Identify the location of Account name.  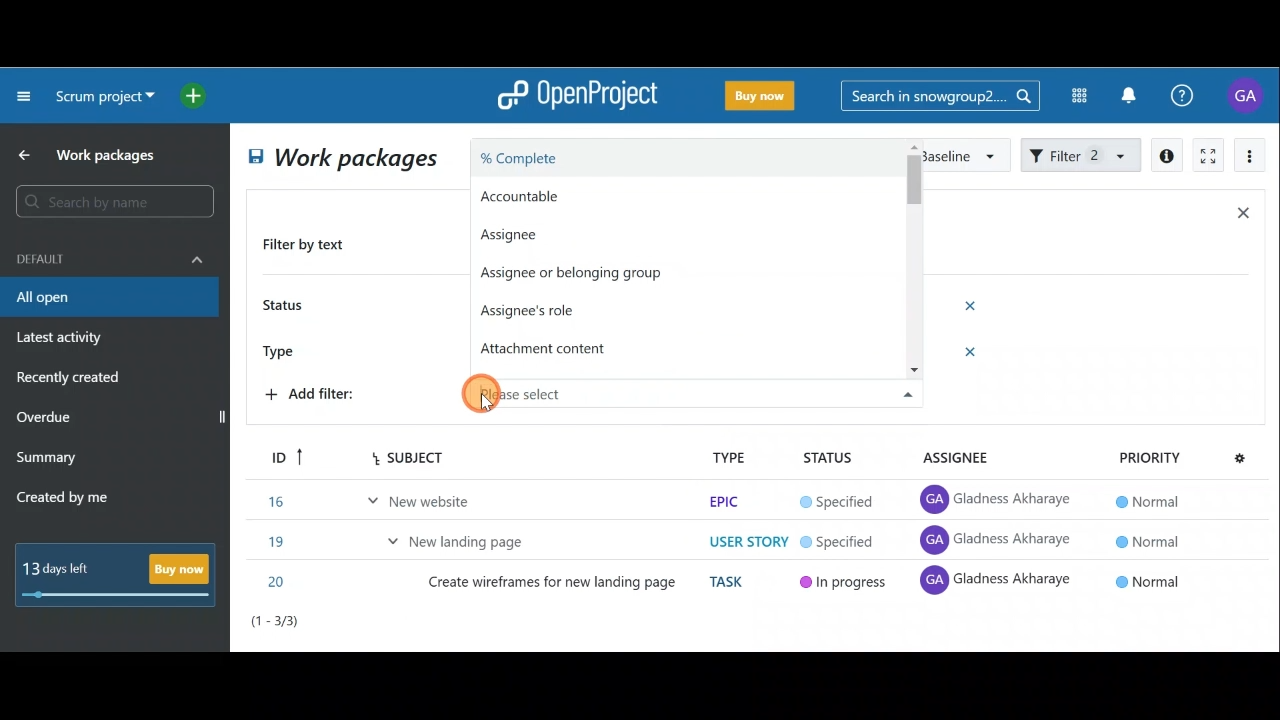
(1248, 95).